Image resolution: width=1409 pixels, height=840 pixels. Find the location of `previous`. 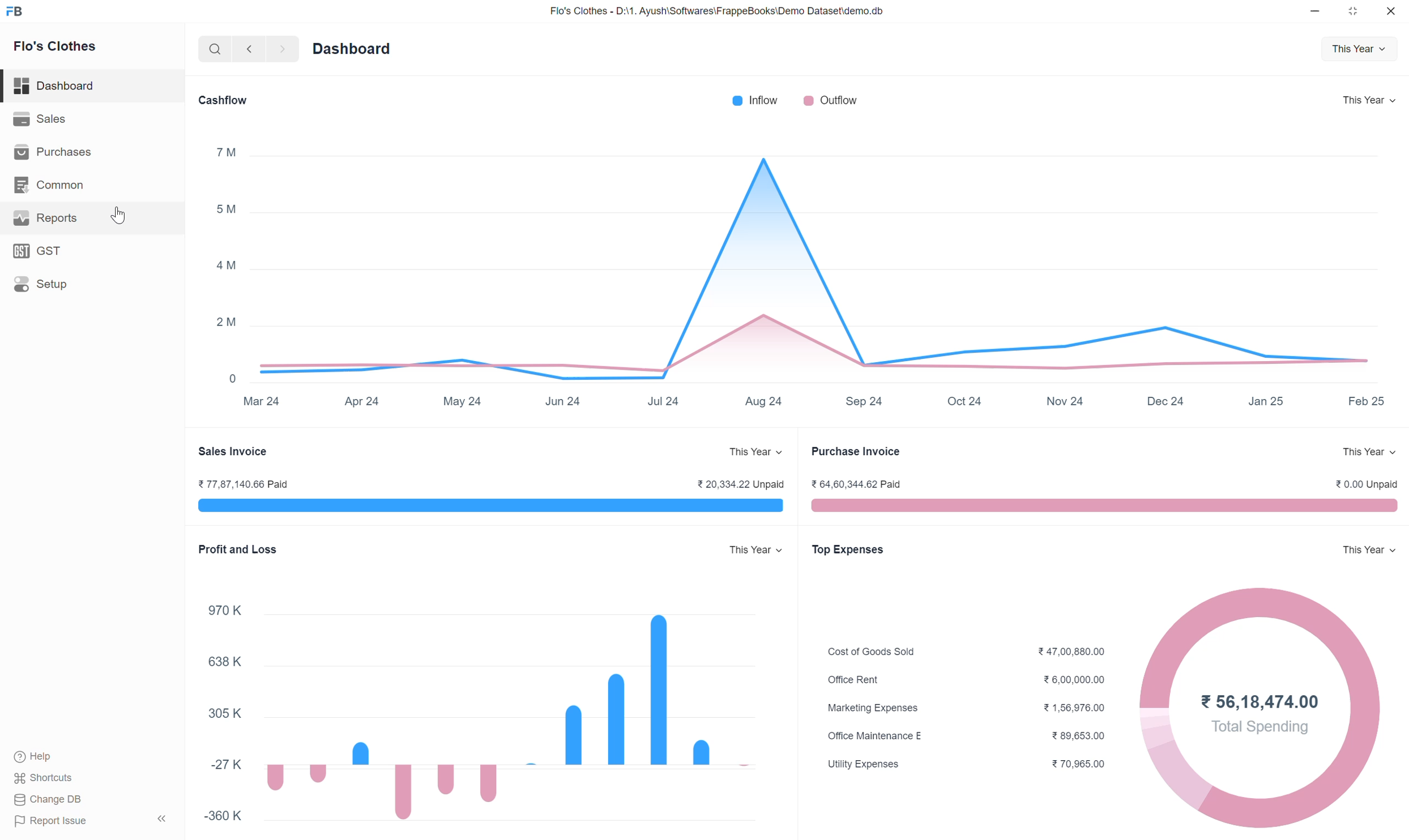

previous is located at coordinates (249, 50).